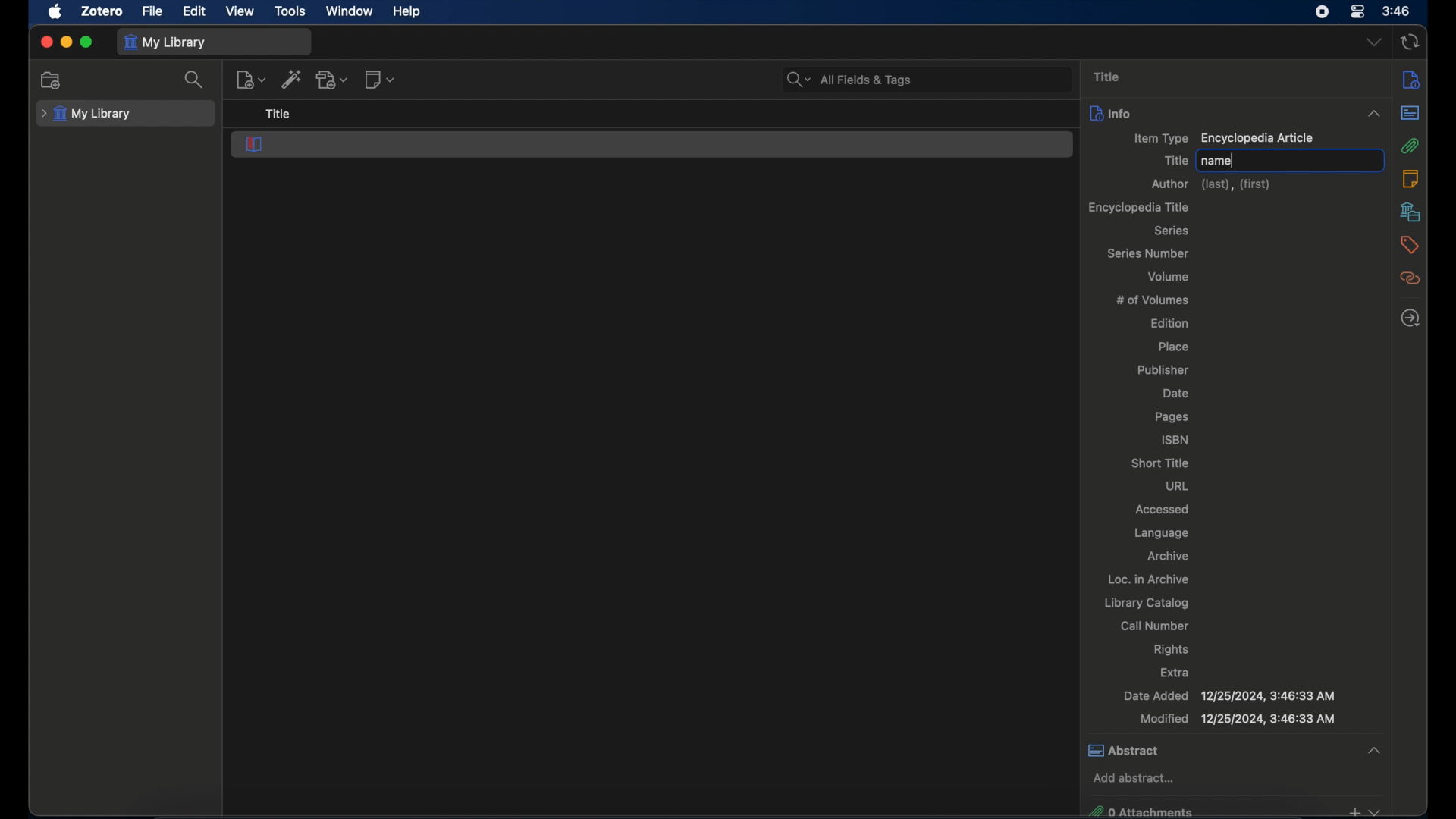 The height and width of the screenshot is (819, 1456). I want to click on info, so click(1410, 79).